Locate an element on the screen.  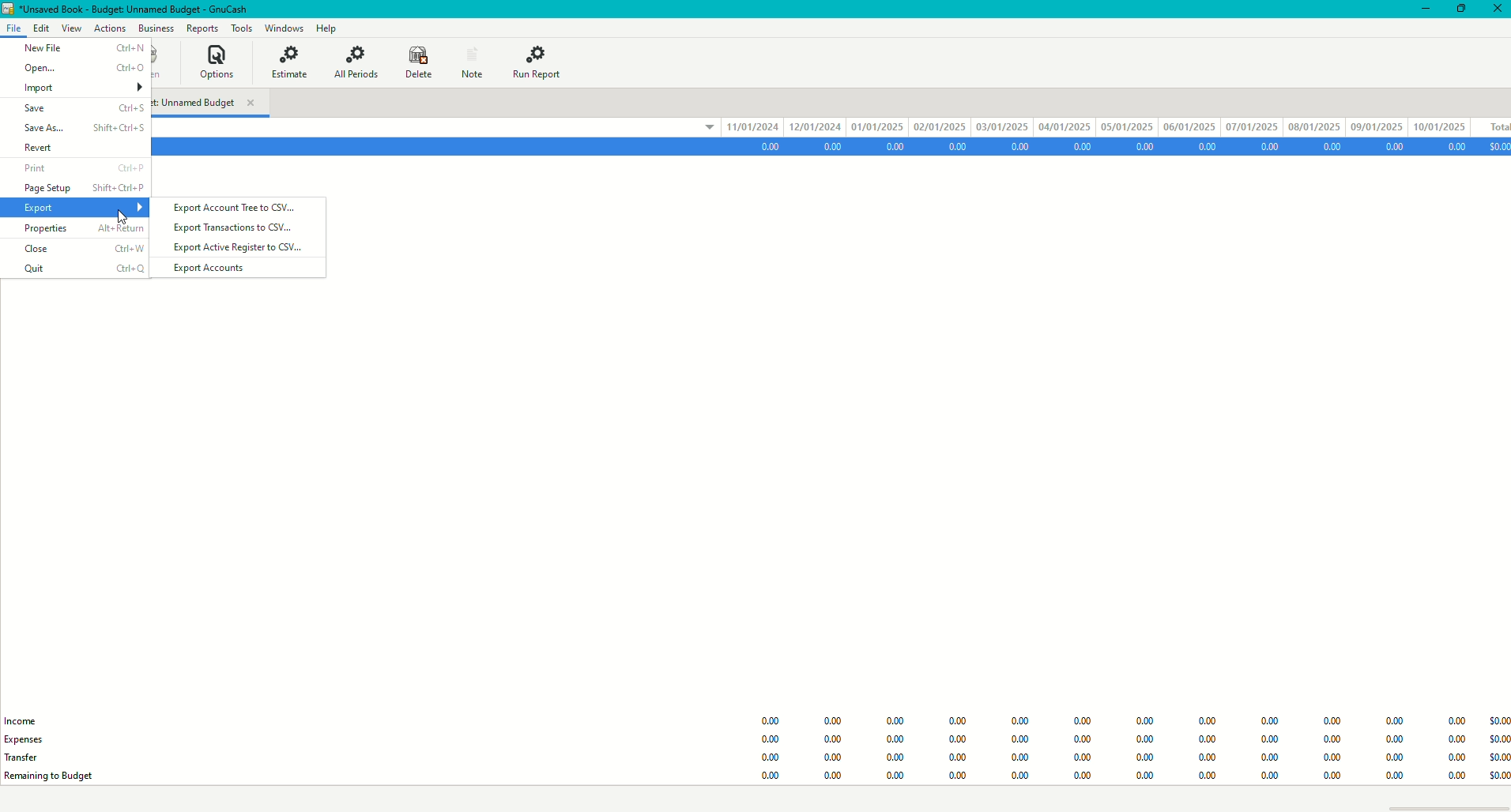
Save As is located at coordinates (83, 126).